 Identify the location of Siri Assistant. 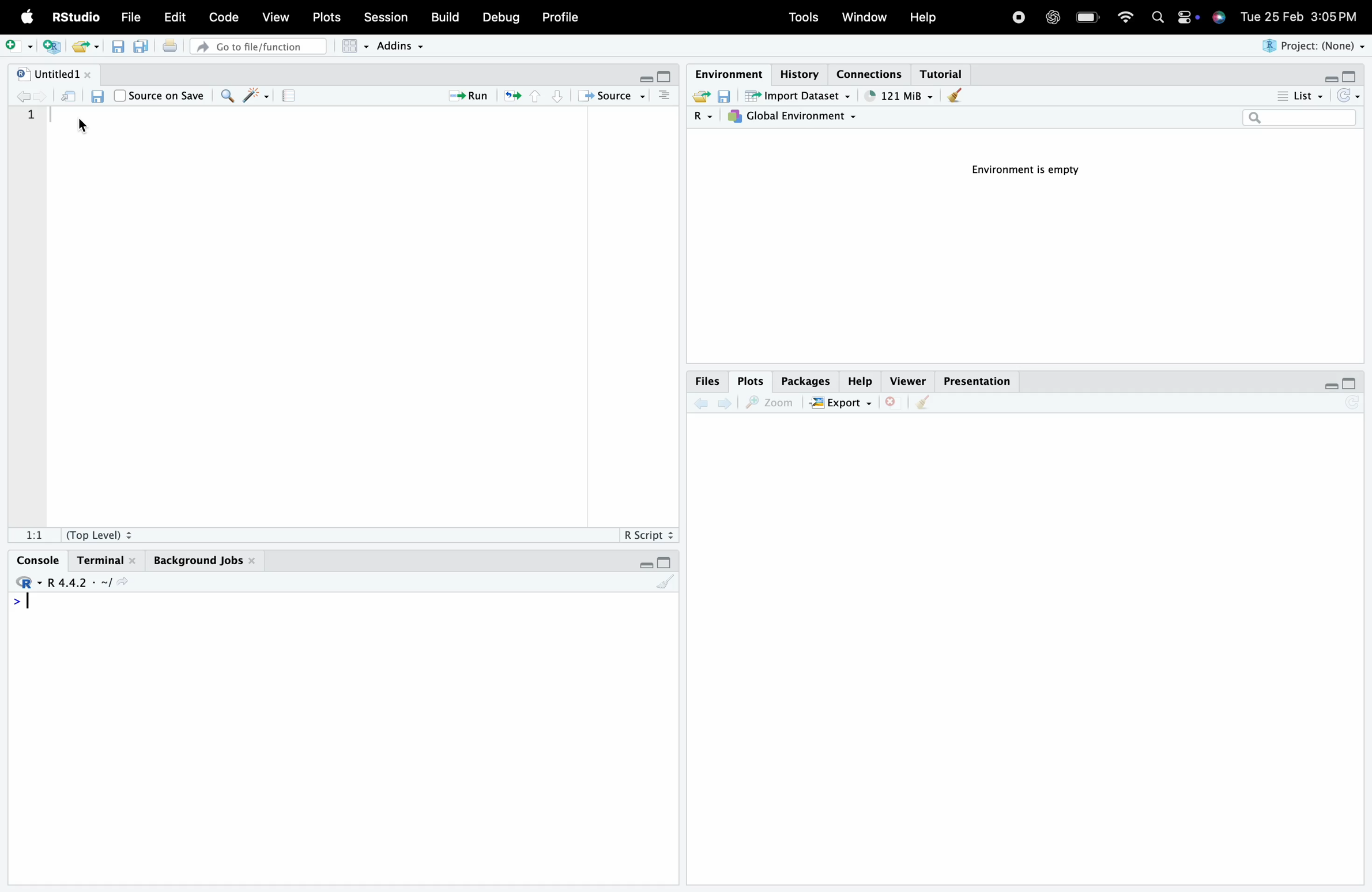
(1218, 19).